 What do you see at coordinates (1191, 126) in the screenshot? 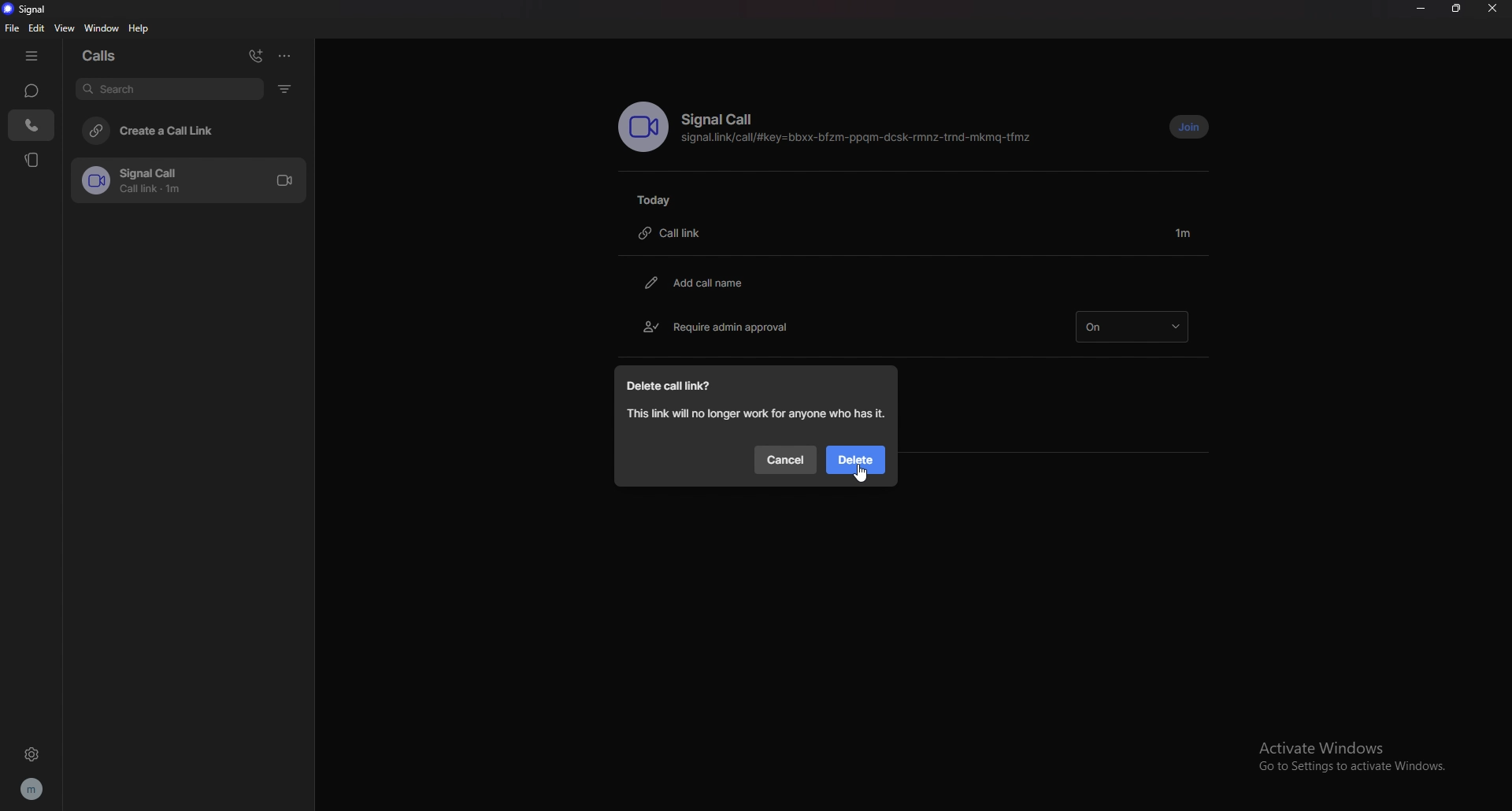
I see `join` at bounding box center [1191, 126].